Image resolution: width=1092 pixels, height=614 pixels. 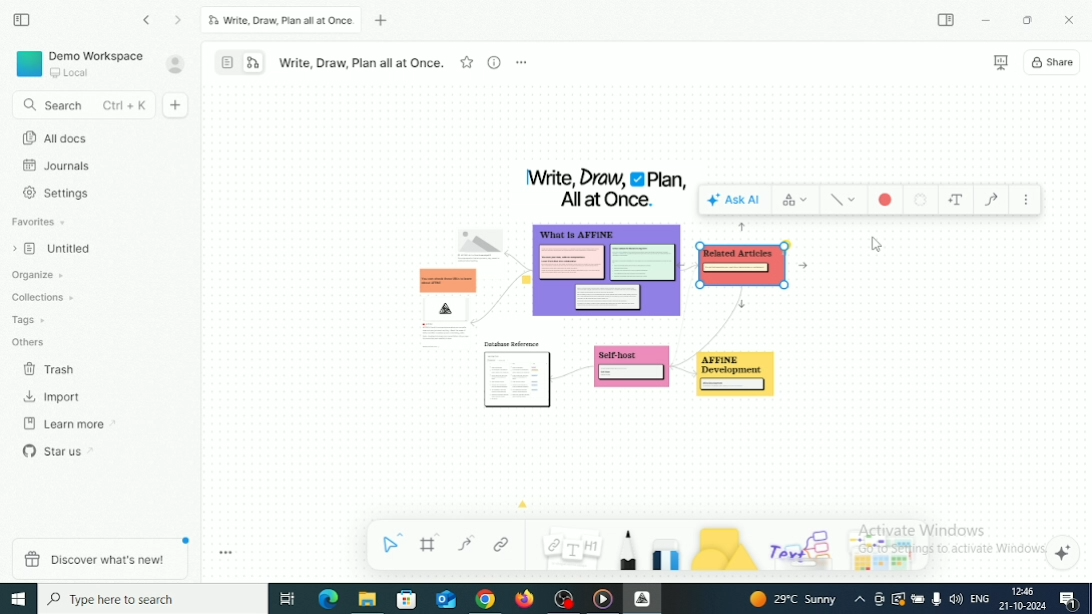 I want to click on Background color changed, so click(x=743, y=264).